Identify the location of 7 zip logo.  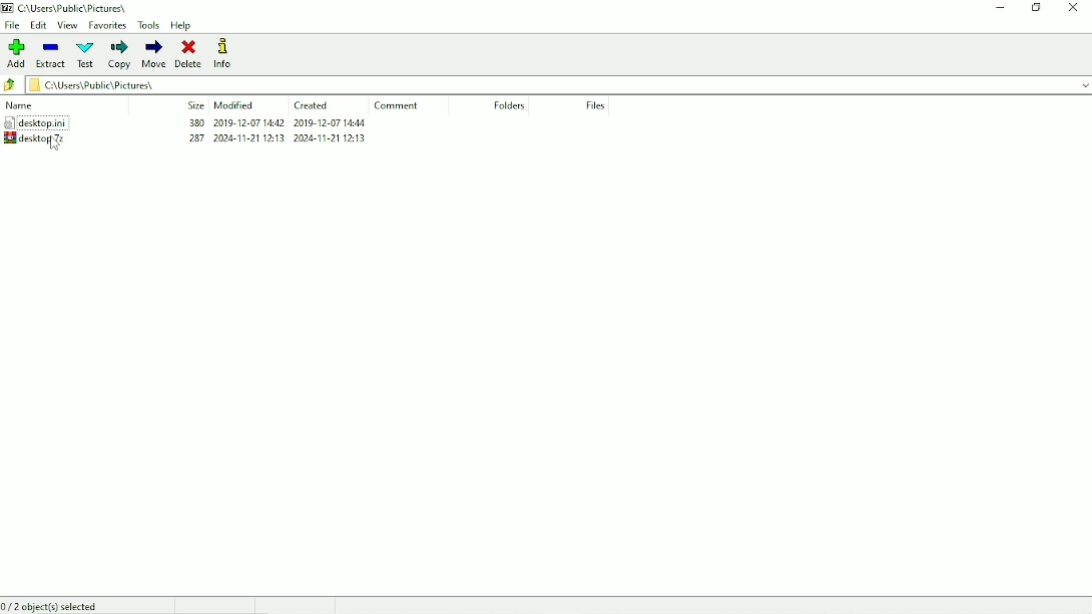
(8, 9).